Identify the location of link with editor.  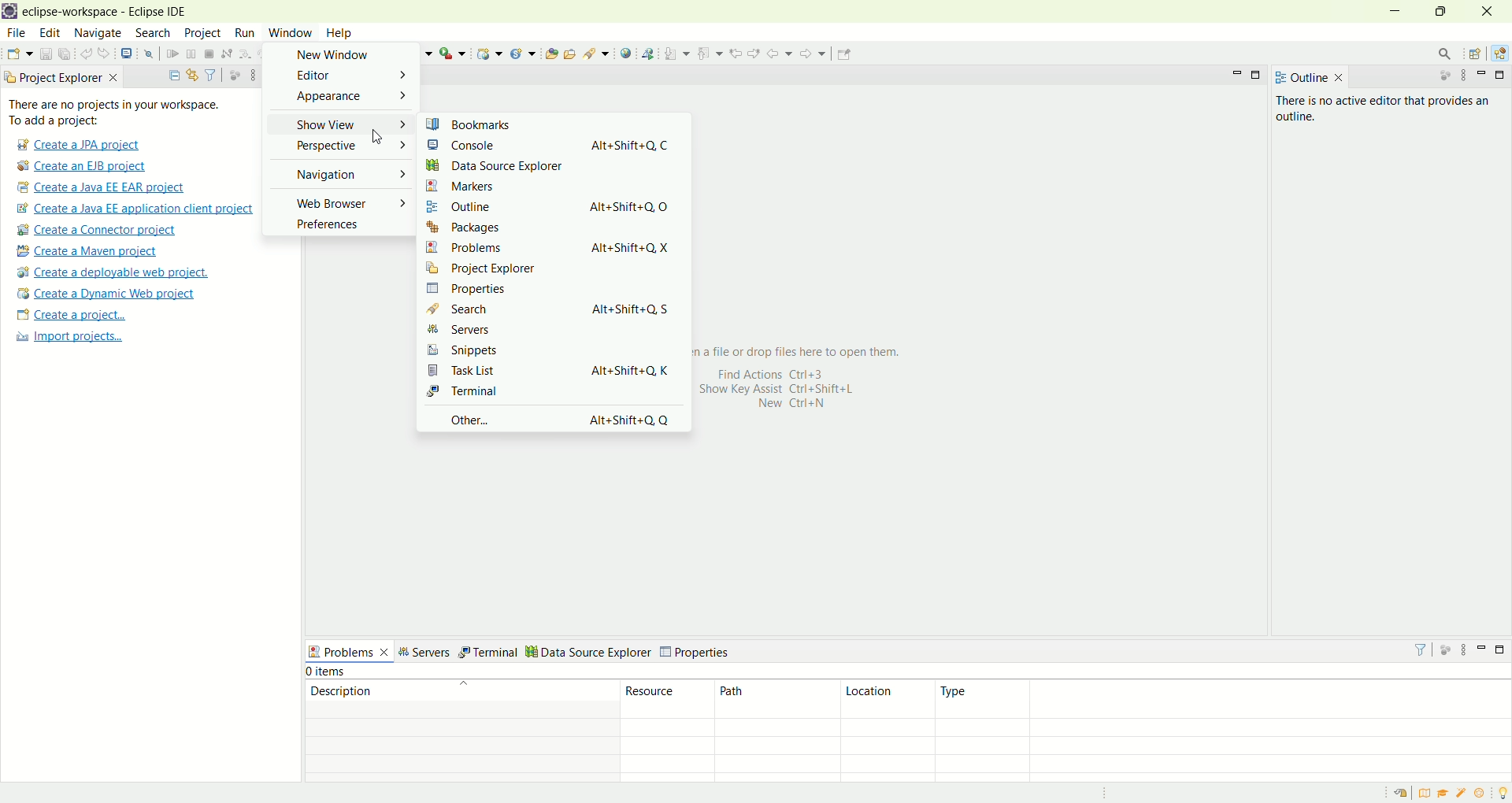
(191, 73).